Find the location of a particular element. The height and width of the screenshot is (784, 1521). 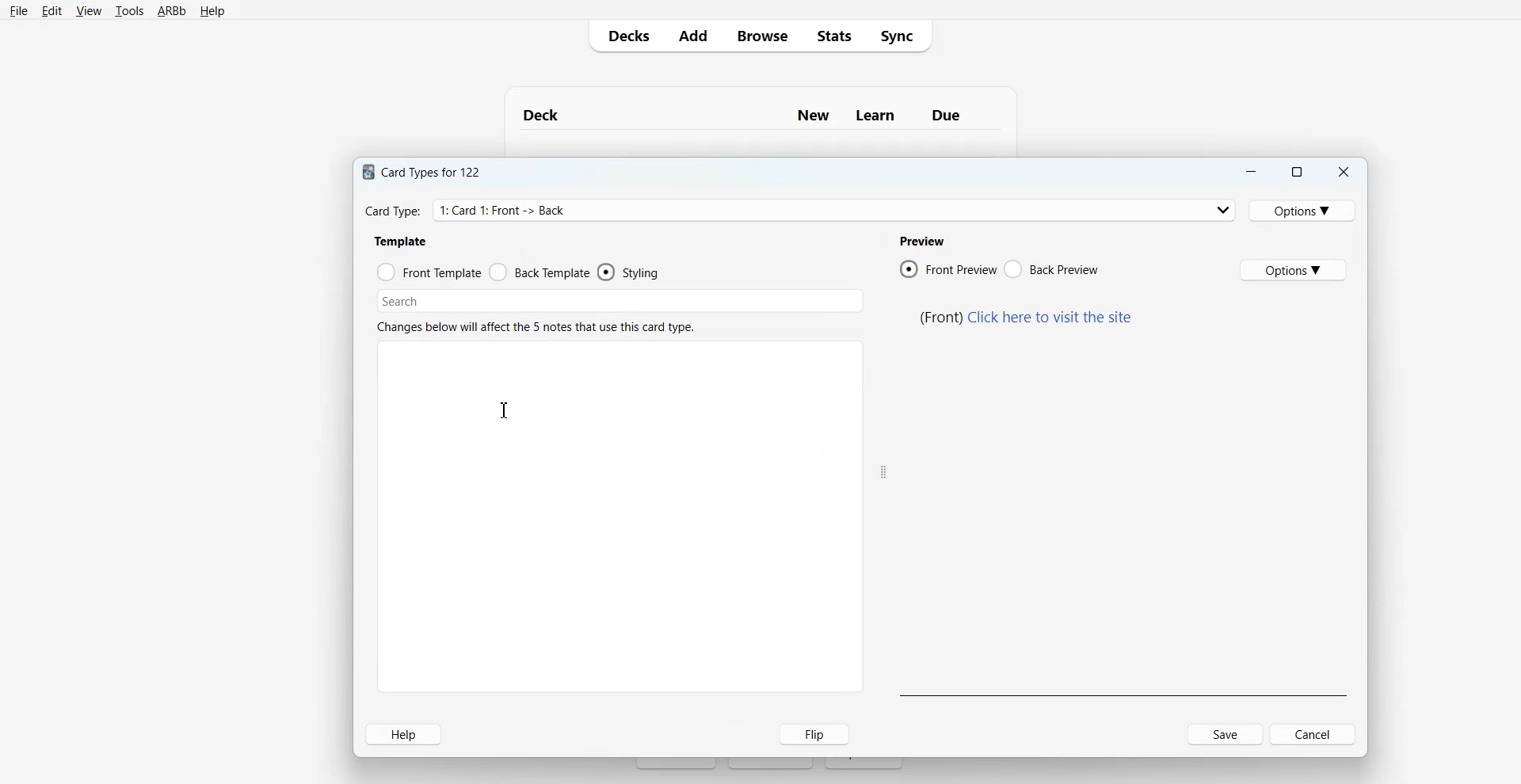

Text 1 is located at coordinates (752, 114).